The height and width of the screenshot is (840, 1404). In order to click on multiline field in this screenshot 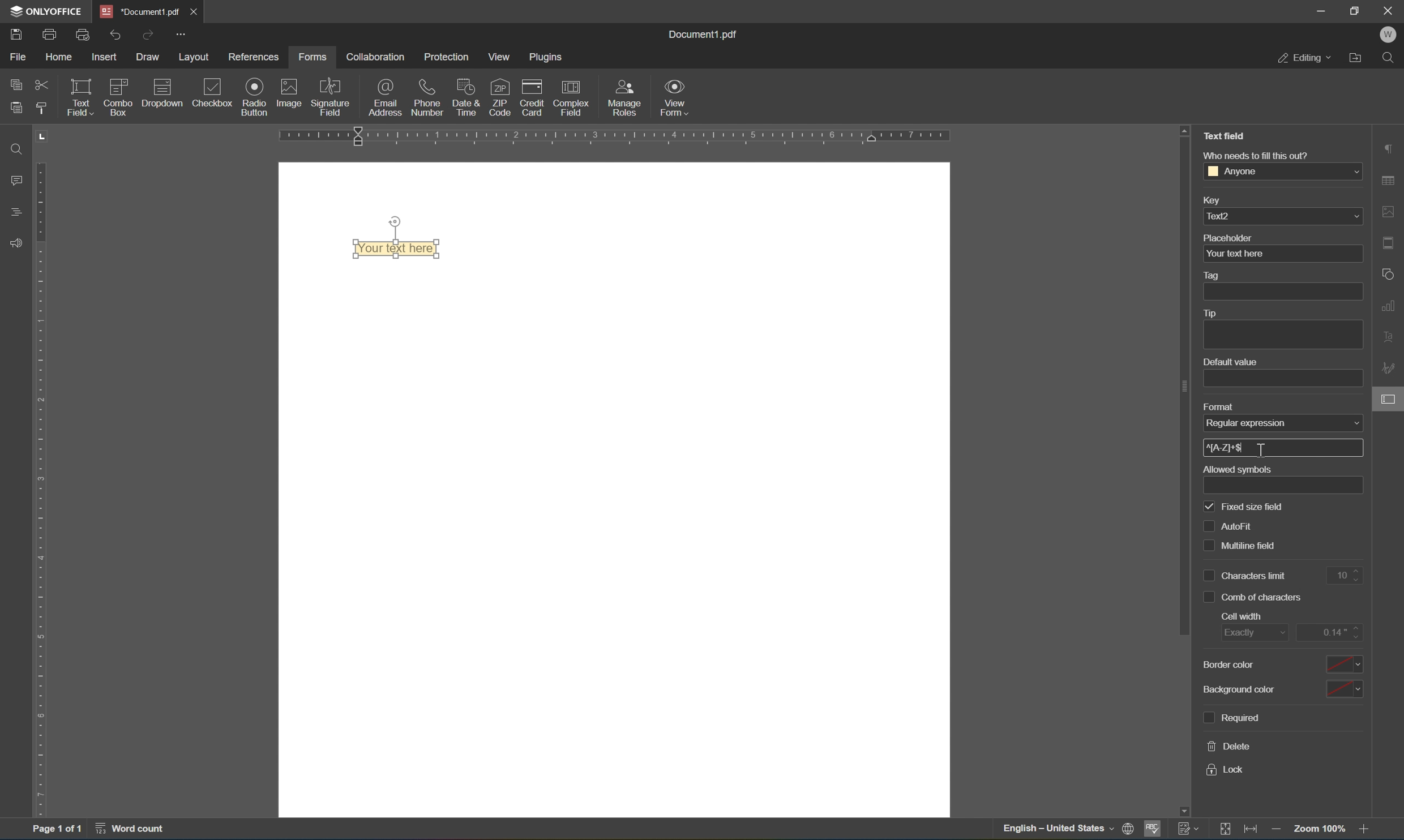, I will do `click(1241, 544)`.